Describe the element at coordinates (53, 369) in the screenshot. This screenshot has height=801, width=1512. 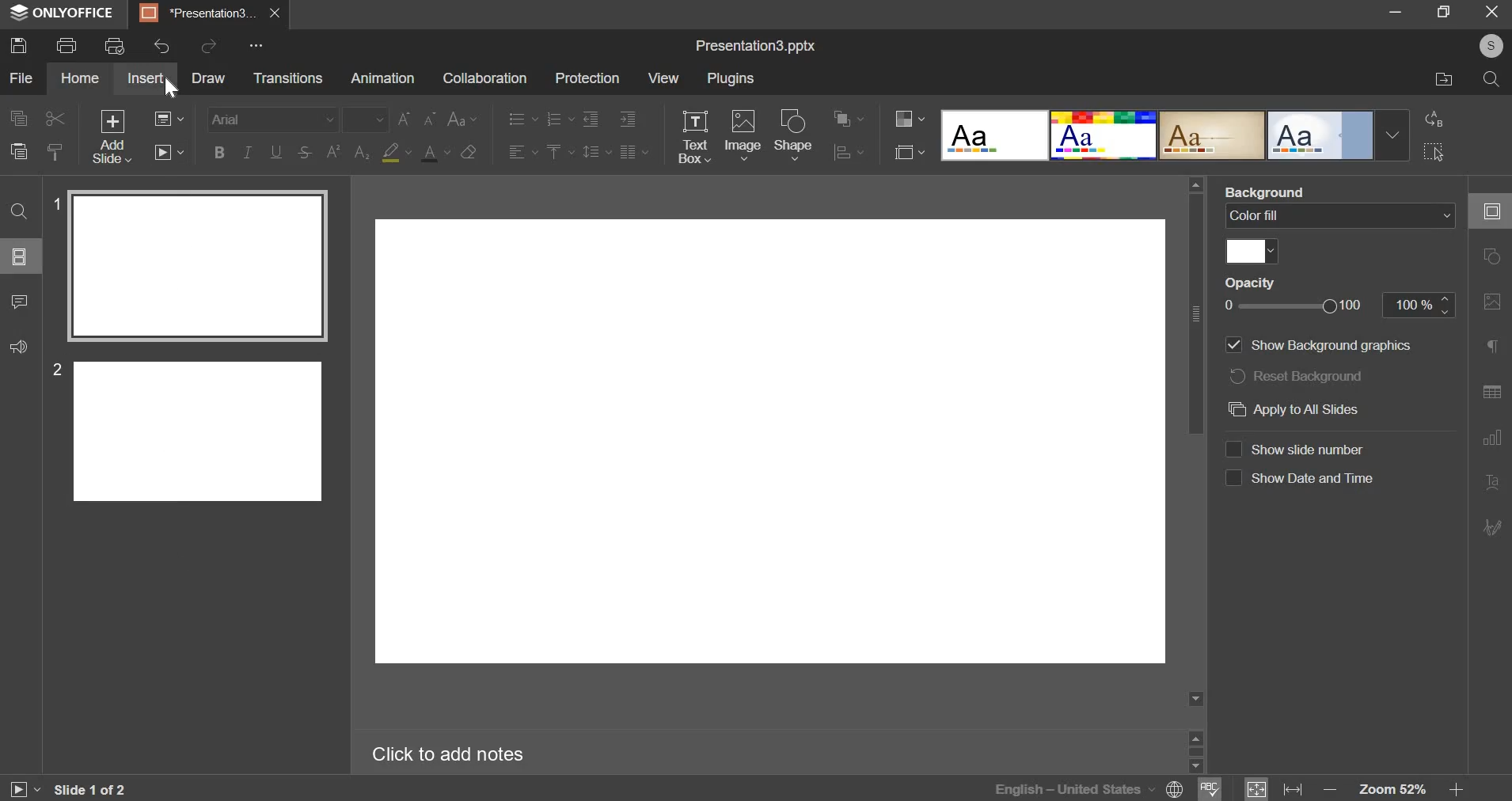
I see `slide number` at that location.